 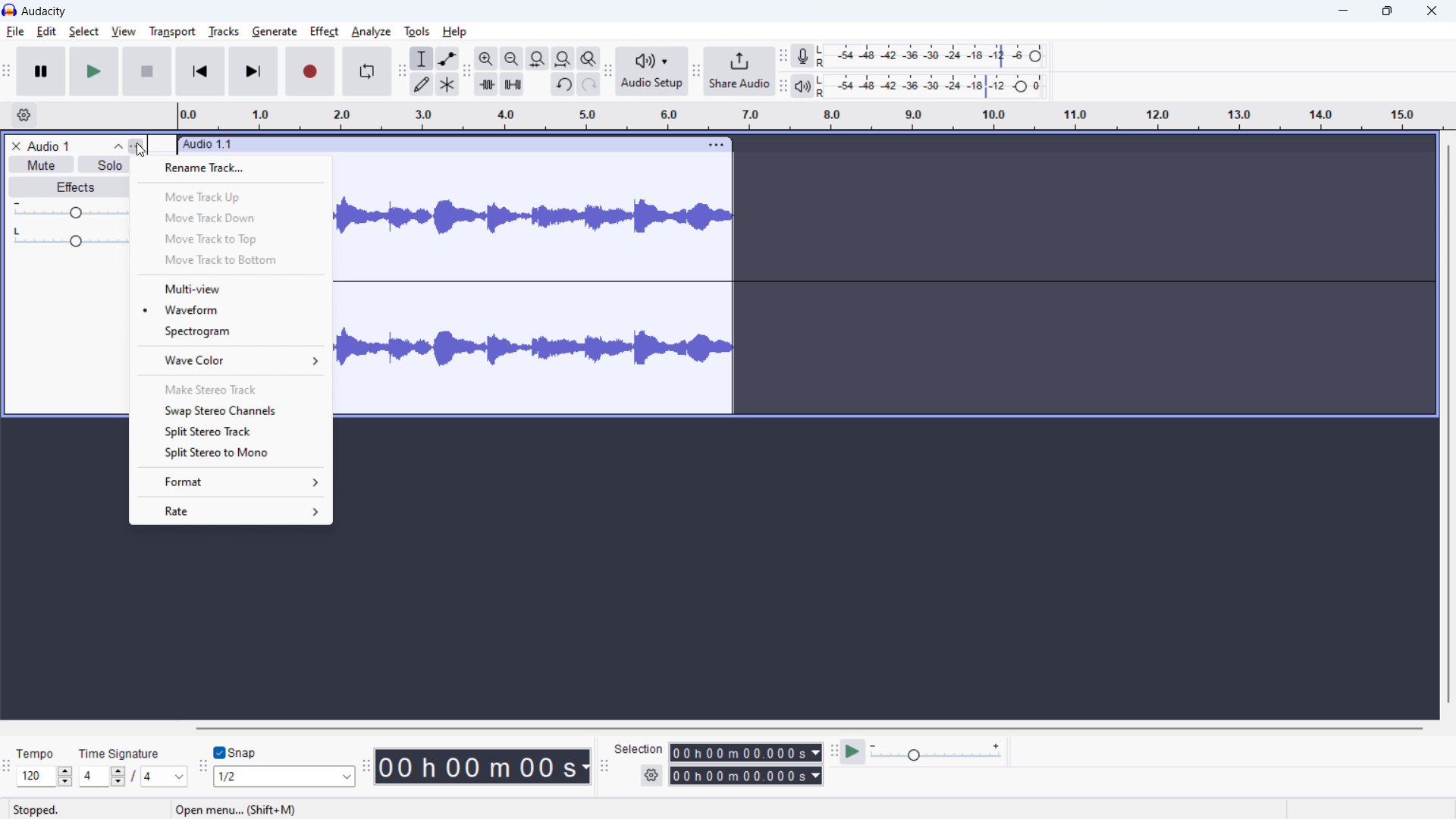 I want to click on maximize, so click(x=1388, y=11).